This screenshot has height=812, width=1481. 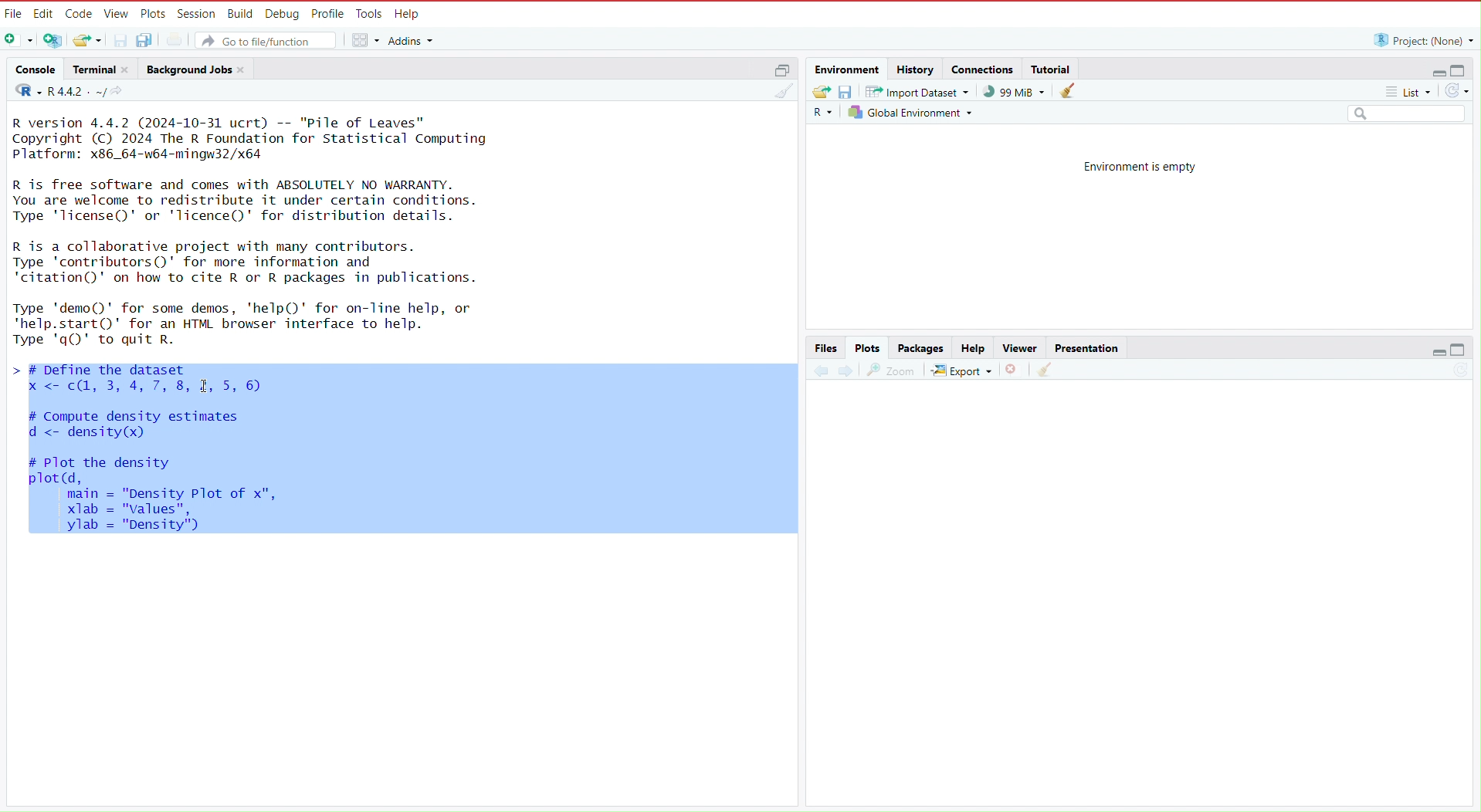 What do you see at coordinates (846, 371) in the screenshot?
I see `next plot` at bounding box center [846, 371].